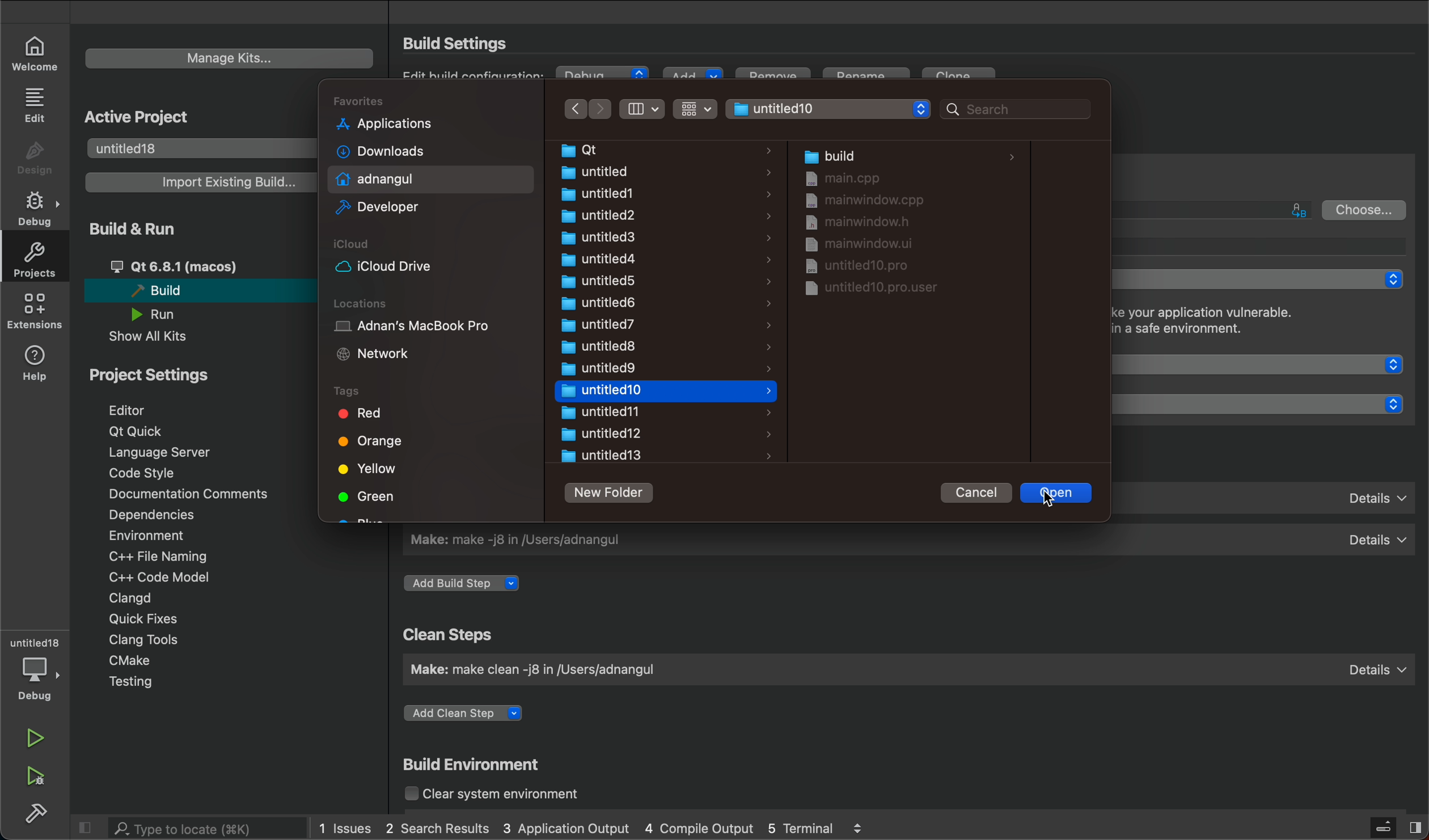 This screenshot has width=1429, height=840. What do you see at coordinates (980, 494) in the screenshot?
I see `cancel` at bounding box center [980, 494].